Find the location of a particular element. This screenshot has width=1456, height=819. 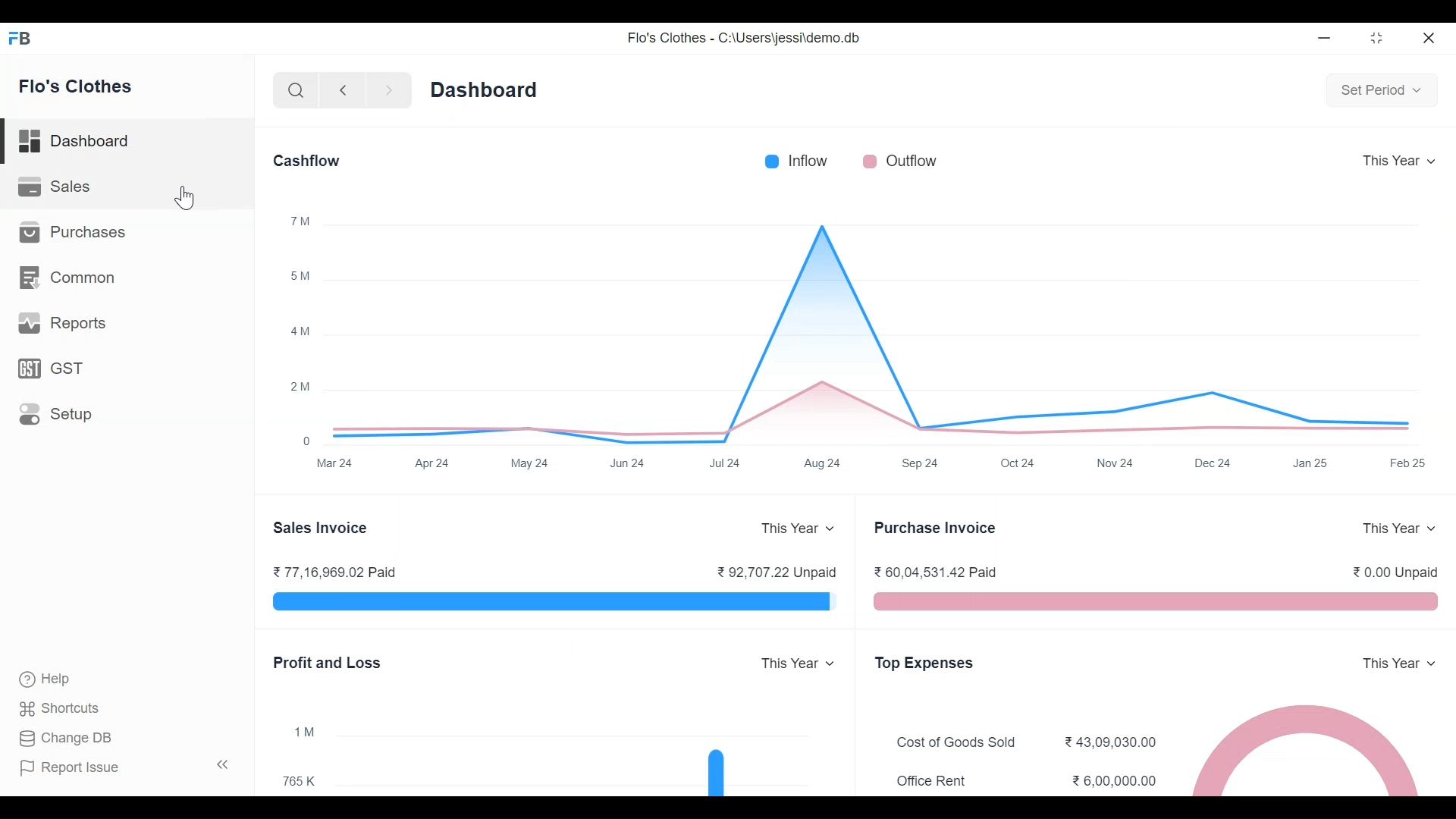

Expand is located at coordinates (833, 664).